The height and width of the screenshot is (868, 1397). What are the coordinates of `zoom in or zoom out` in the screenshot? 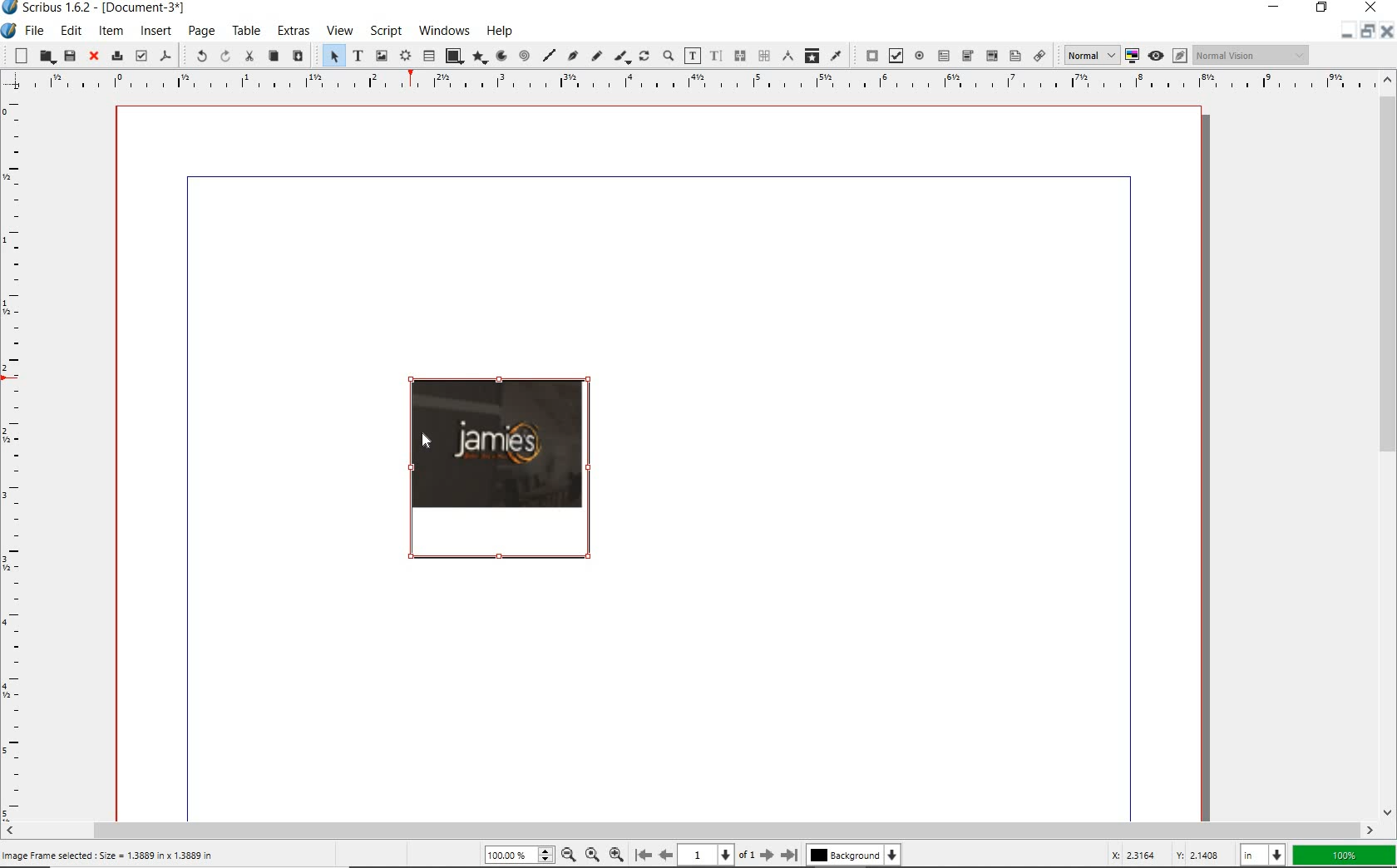 It's located at (668, 55).